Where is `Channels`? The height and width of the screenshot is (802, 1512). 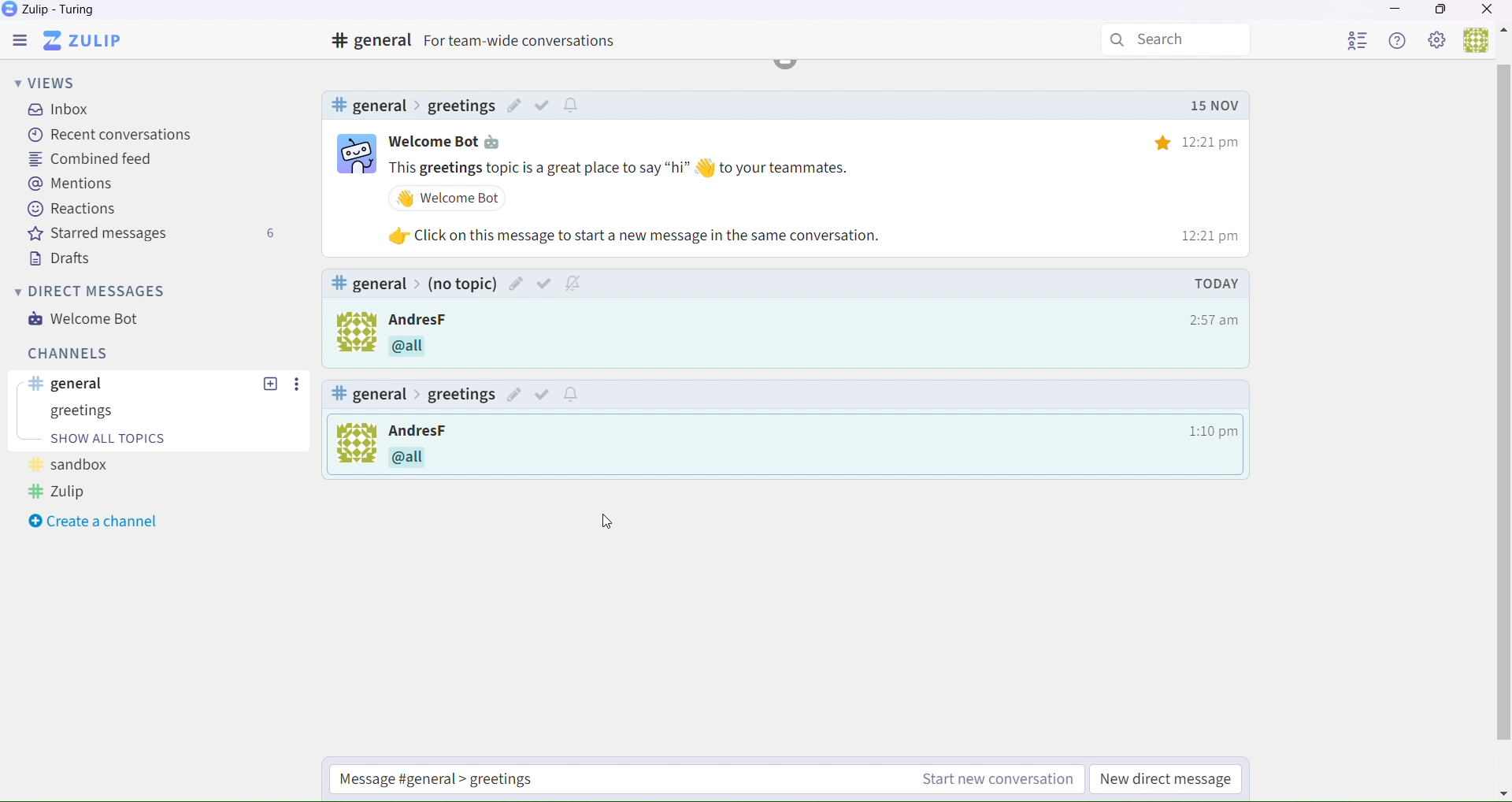
Channels is located at coordinates (64, 352).